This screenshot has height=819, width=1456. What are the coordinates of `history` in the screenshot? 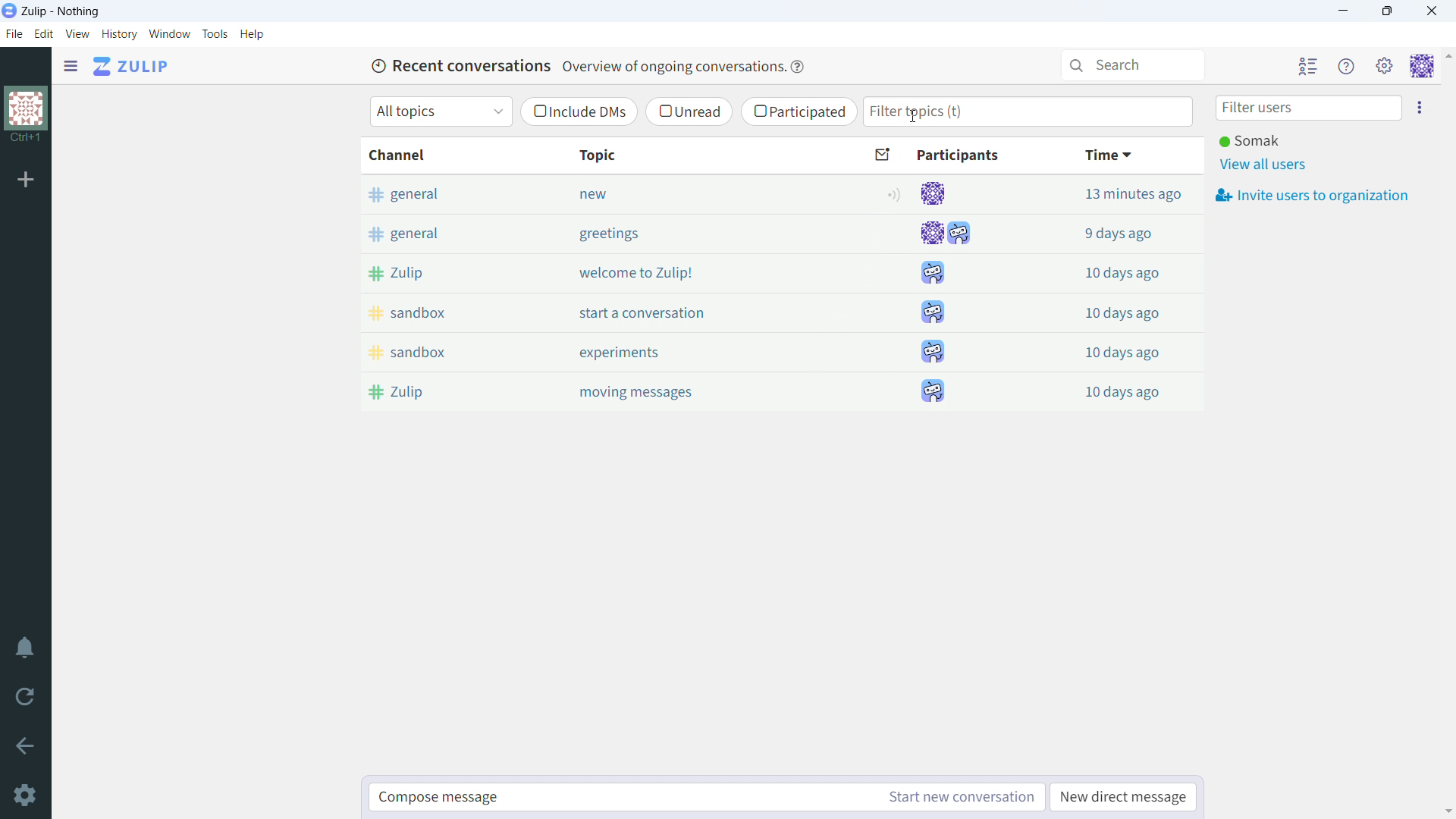 It's located at (120, 35).